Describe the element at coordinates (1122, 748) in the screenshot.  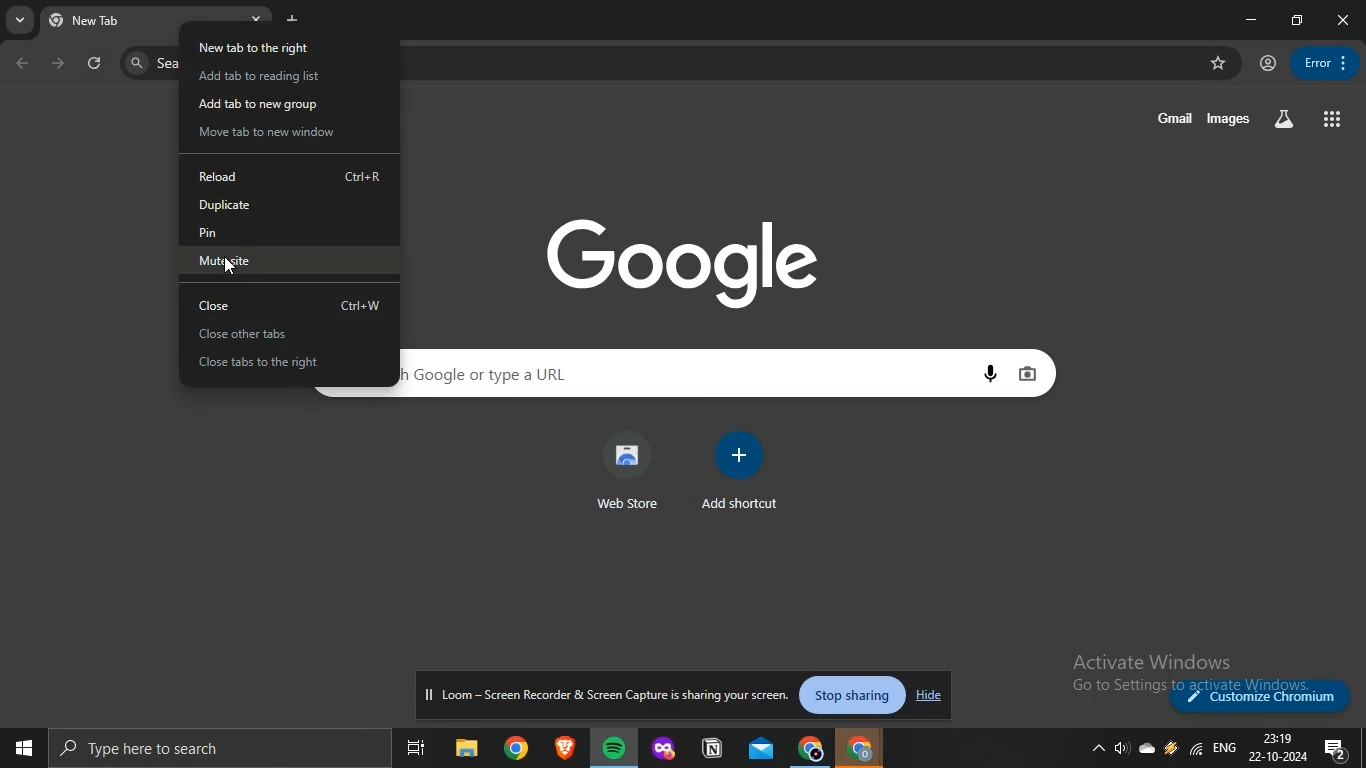
I see `volumw` at that location.